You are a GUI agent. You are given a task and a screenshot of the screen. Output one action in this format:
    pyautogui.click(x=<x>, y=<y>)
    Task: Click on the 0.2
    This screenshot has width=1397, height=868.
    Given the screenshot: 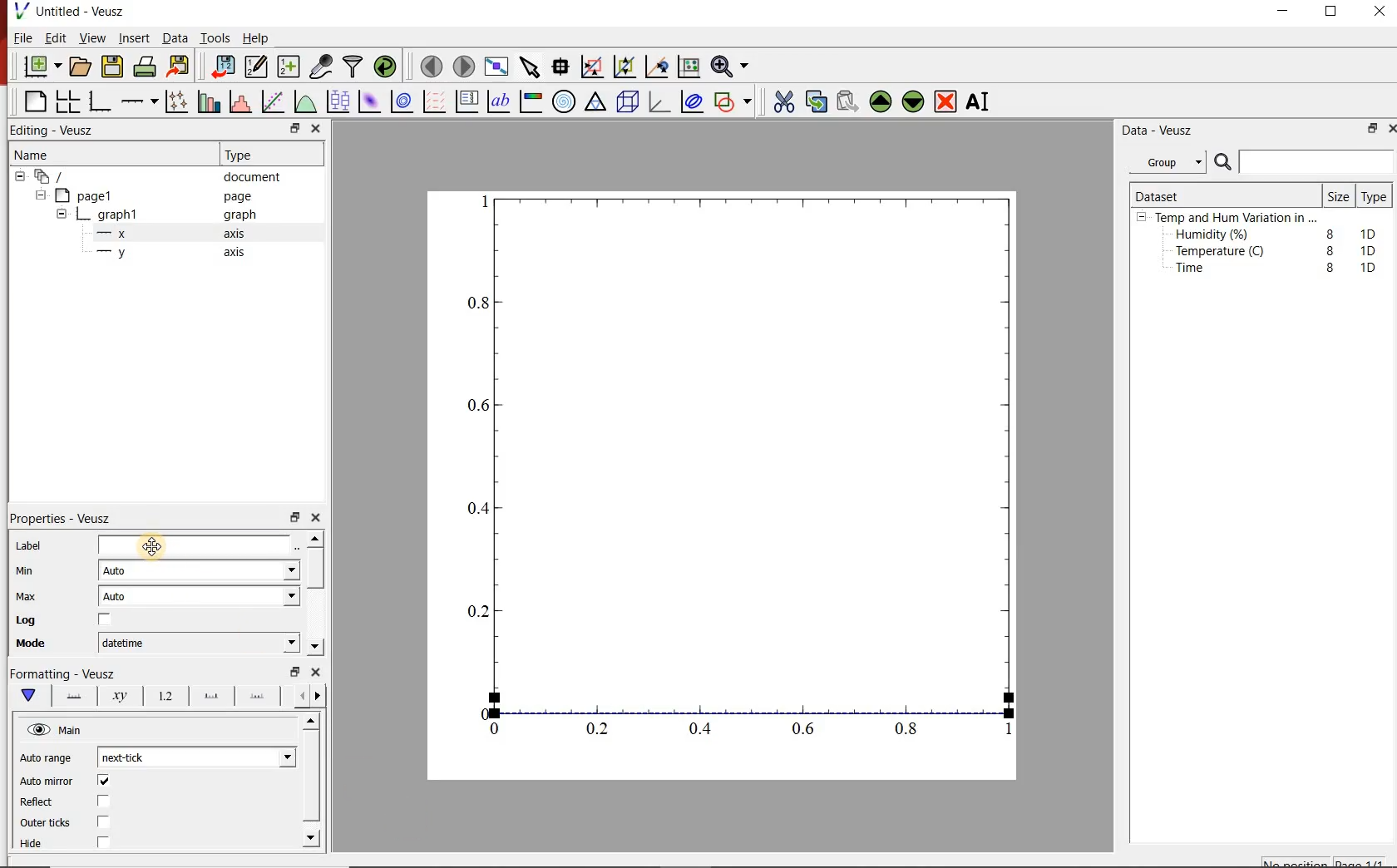 What is the action you would take?
    pyautogui.click(x=600, y=730)
    